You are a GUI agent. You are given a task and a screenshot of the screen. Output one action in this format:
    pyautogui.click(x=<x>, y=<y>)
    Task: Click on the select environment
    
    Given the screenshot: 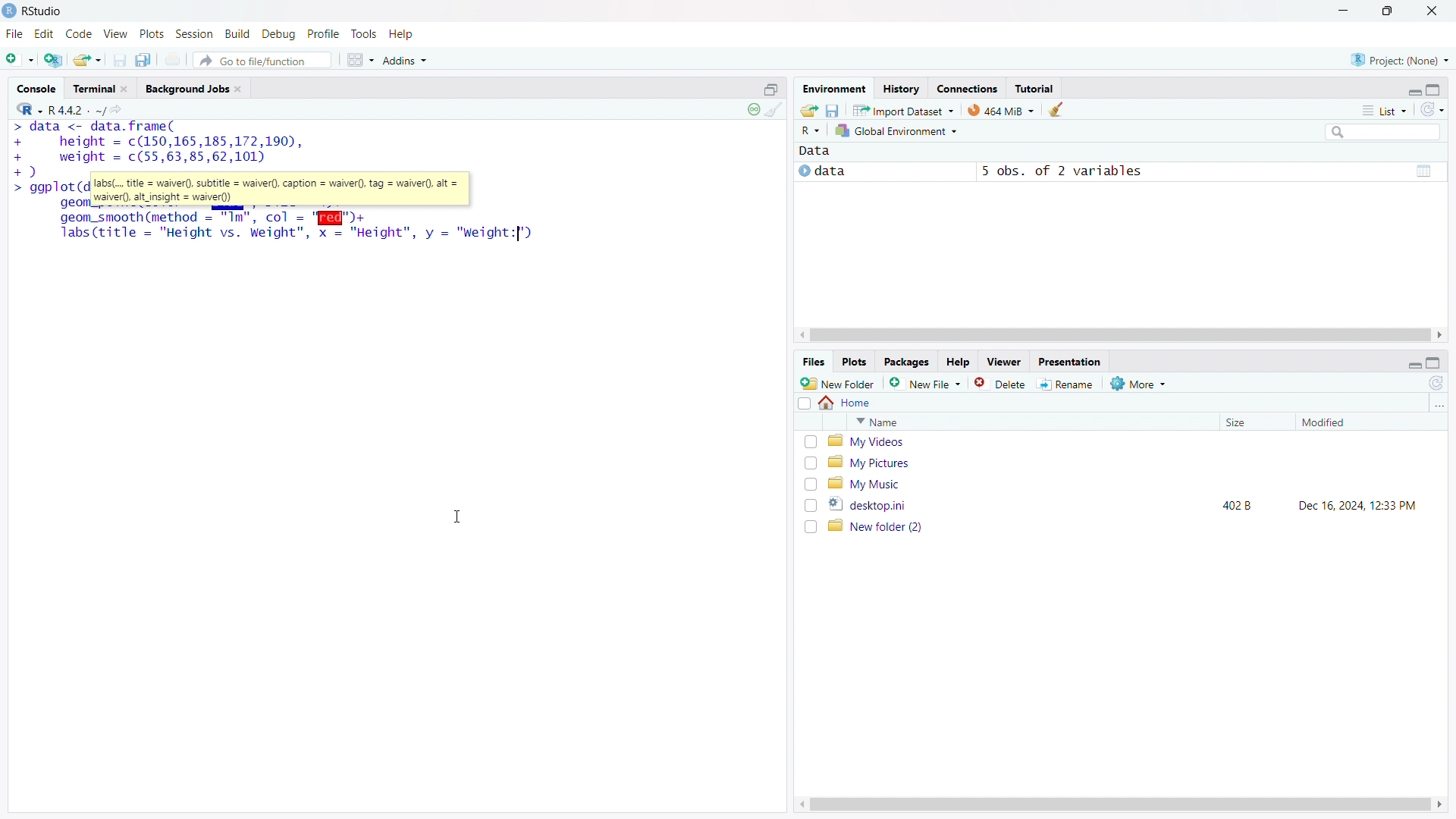 What is the action you would take?
    pyautogui.click(x=898, y=131)
    